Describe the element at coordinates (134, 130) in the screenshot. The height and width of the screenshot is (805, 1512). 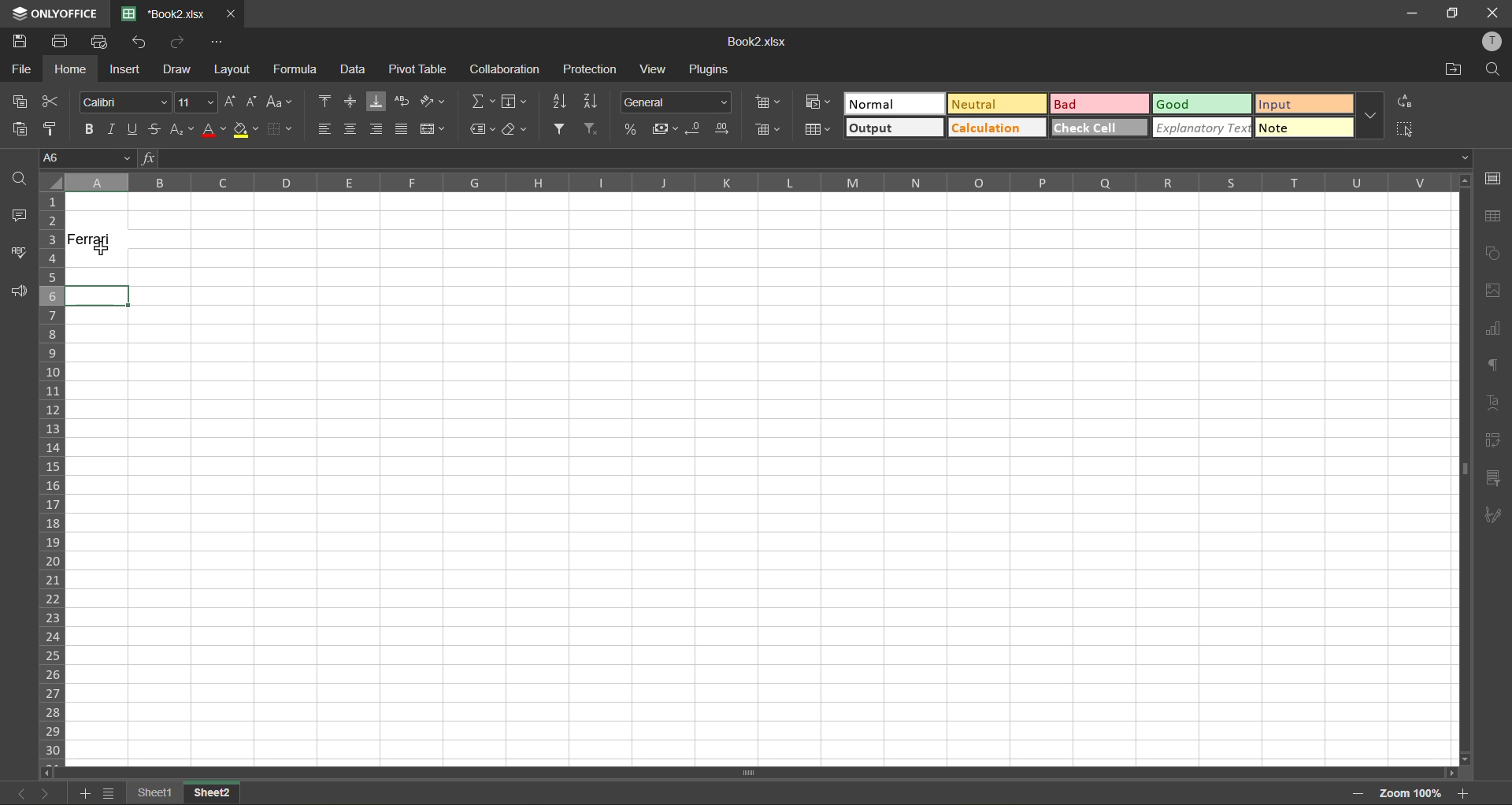
I see `underline` at that location.